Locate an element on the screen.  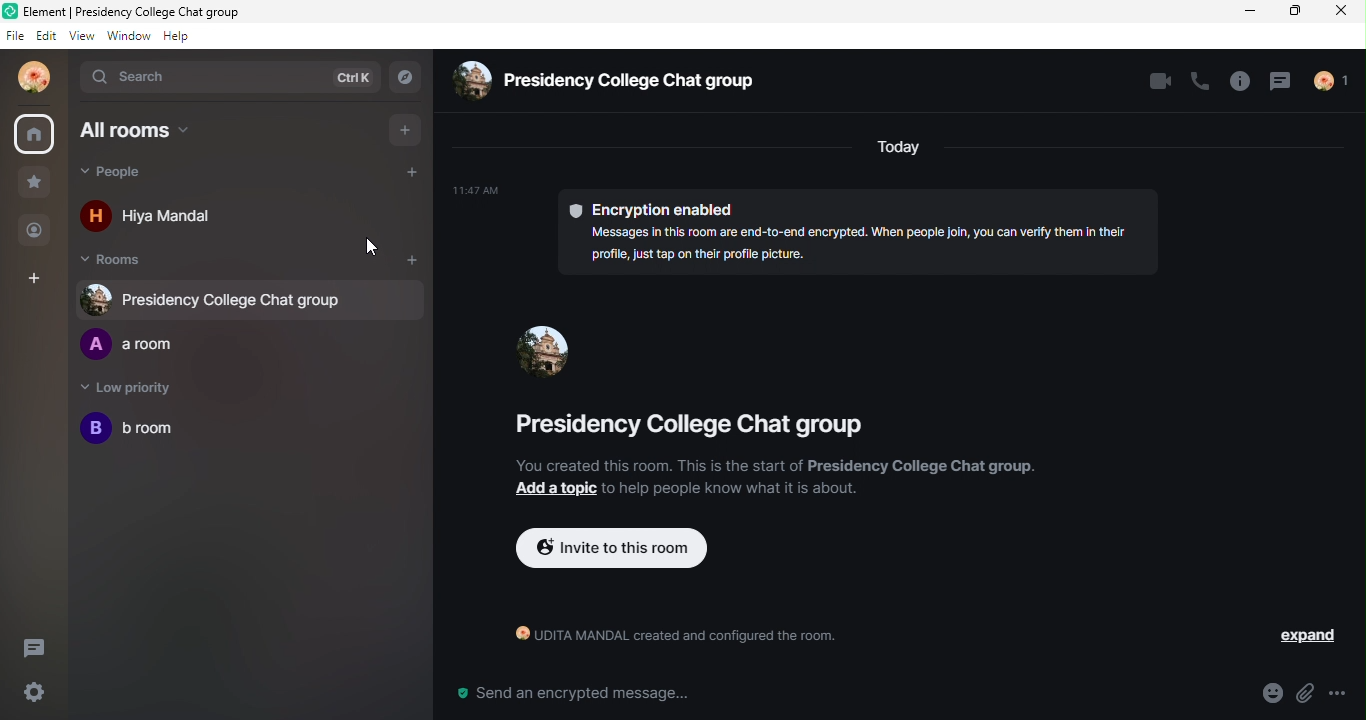
invited to this room is located at coordinates (612, 550).